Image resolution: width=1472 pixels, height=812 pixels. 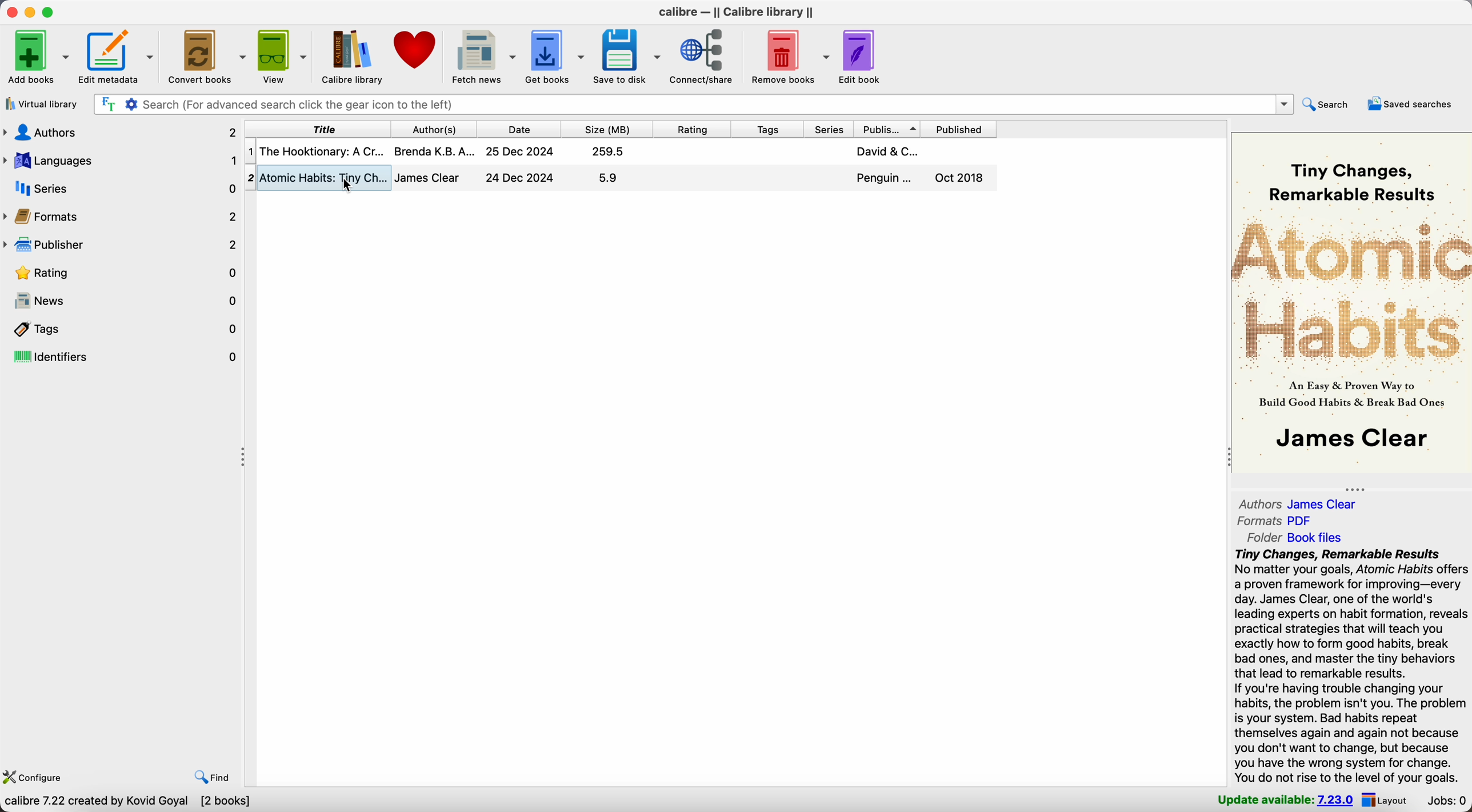 What do you see at coordinates (606, 127) in the screenshot?
I see `size` at bounding box center [606, 127].